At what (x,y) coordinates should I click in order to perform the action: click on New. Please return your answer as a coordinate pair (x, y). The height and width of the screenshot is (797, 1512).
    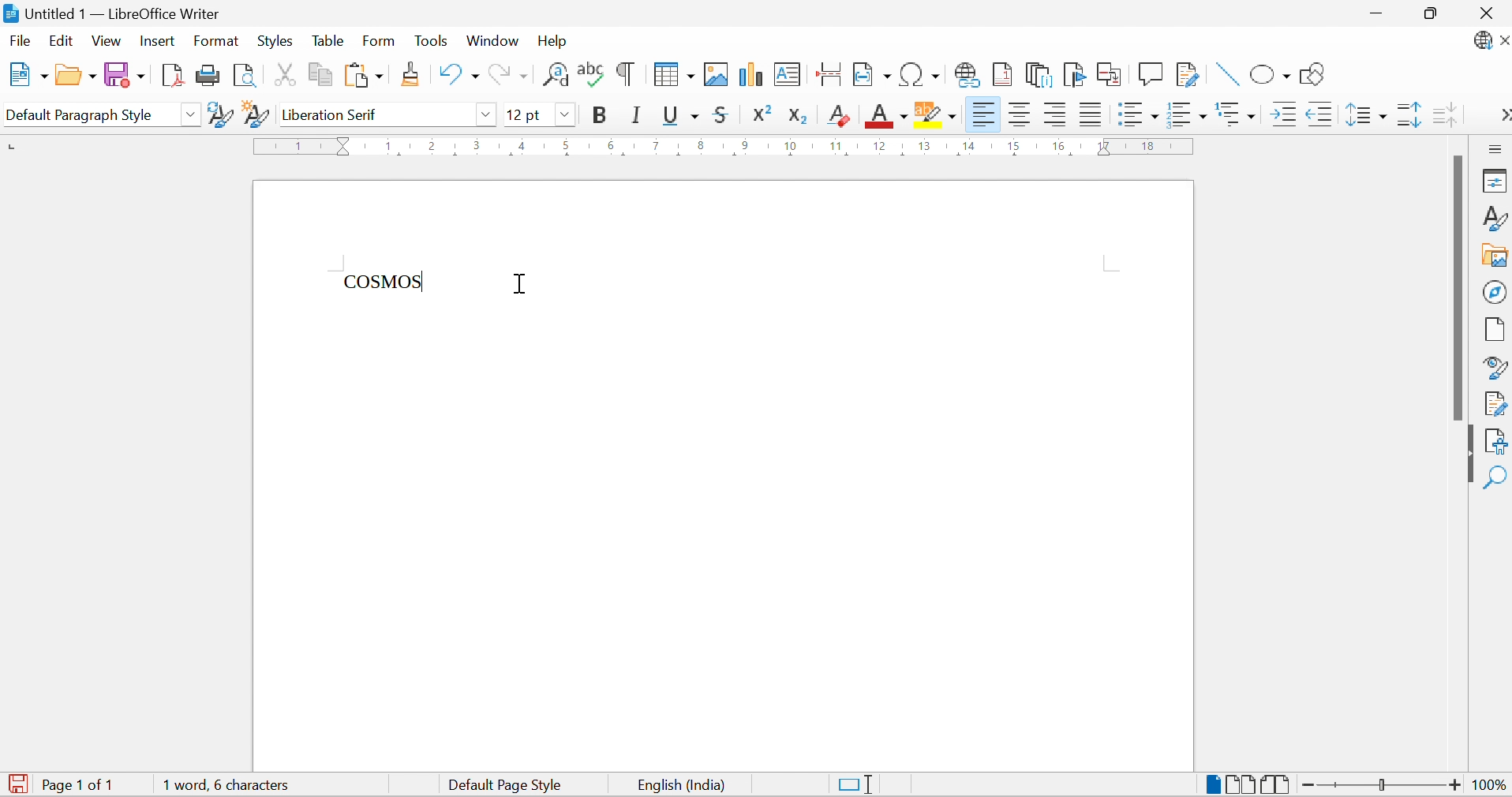
    Looking at the image, I should click on (25, 73).